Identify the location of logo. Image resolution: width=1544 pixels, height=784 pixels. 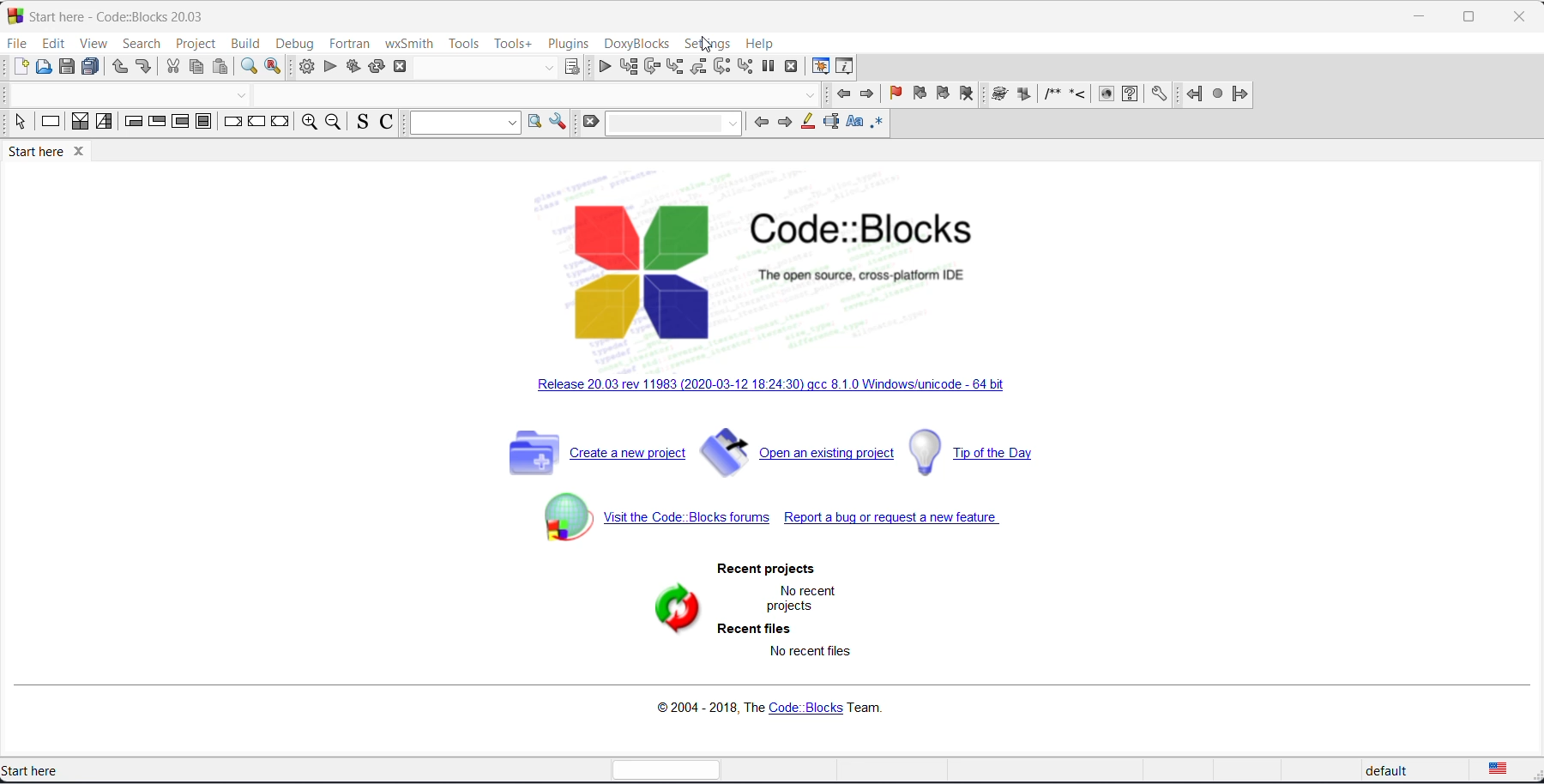
(642, 272).